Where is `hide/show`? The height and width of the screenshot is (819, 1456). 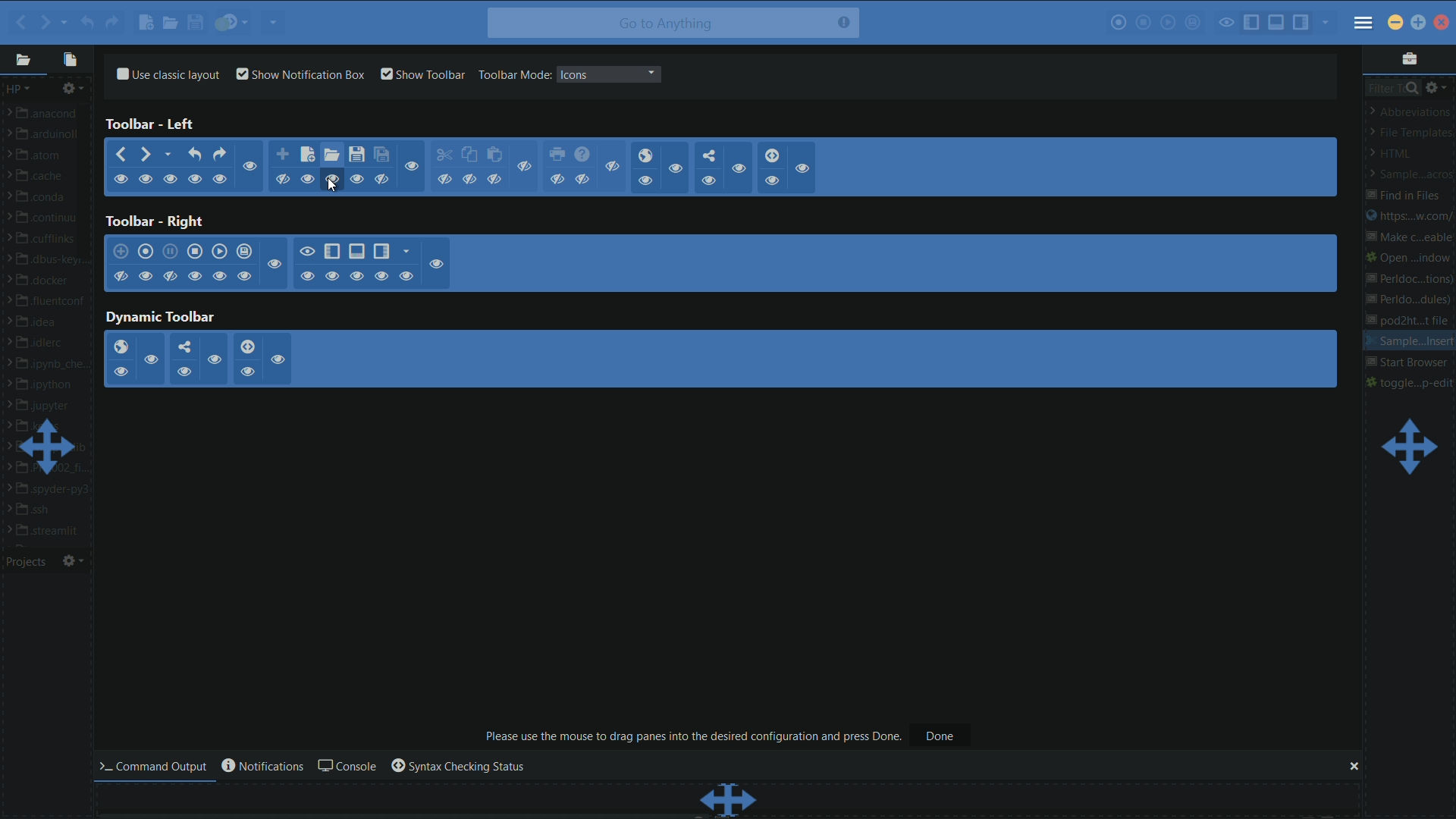 hide/show is located at coordinates (438, 263).